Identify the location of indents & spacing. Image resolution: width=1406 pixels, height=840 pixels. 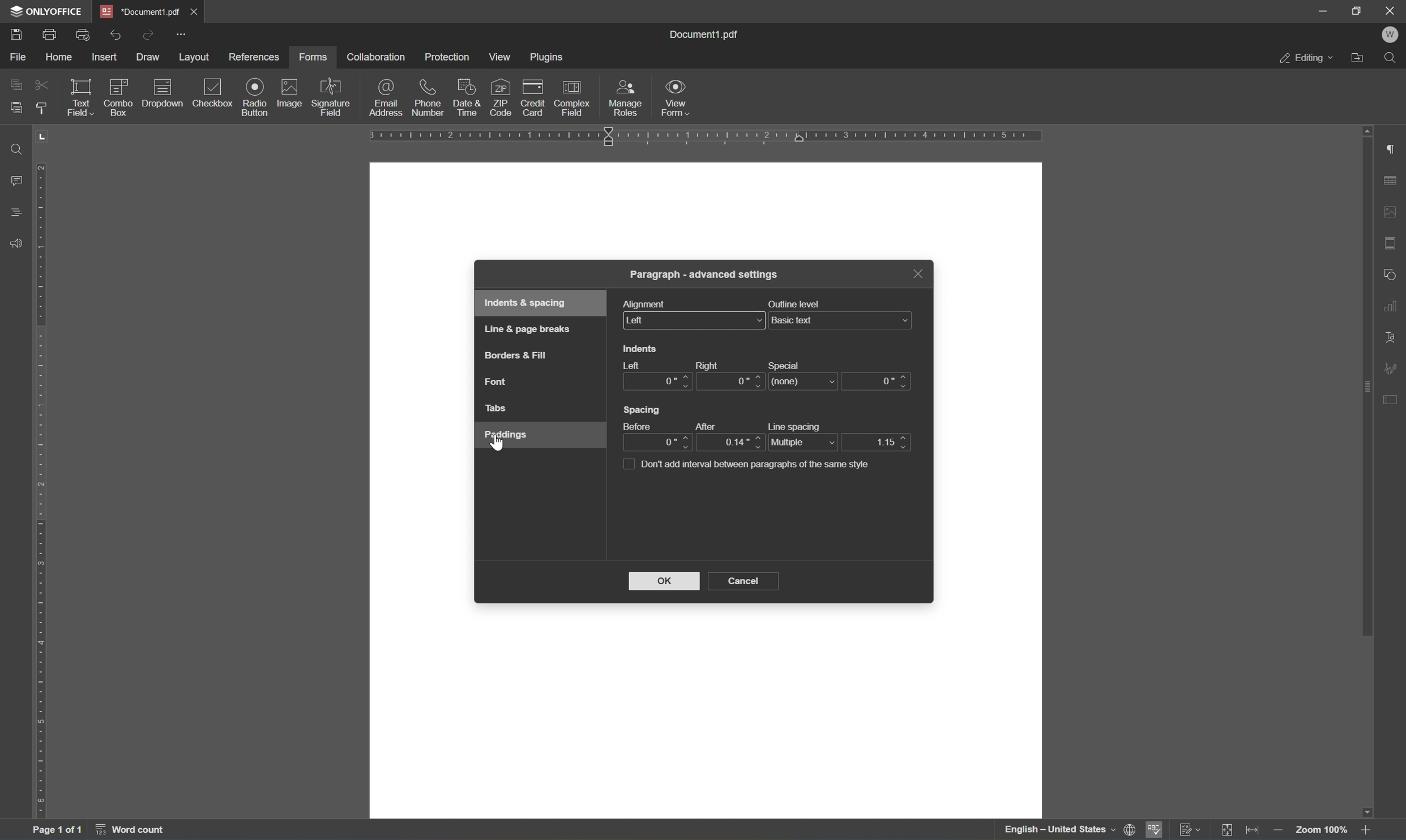
(525, 303).